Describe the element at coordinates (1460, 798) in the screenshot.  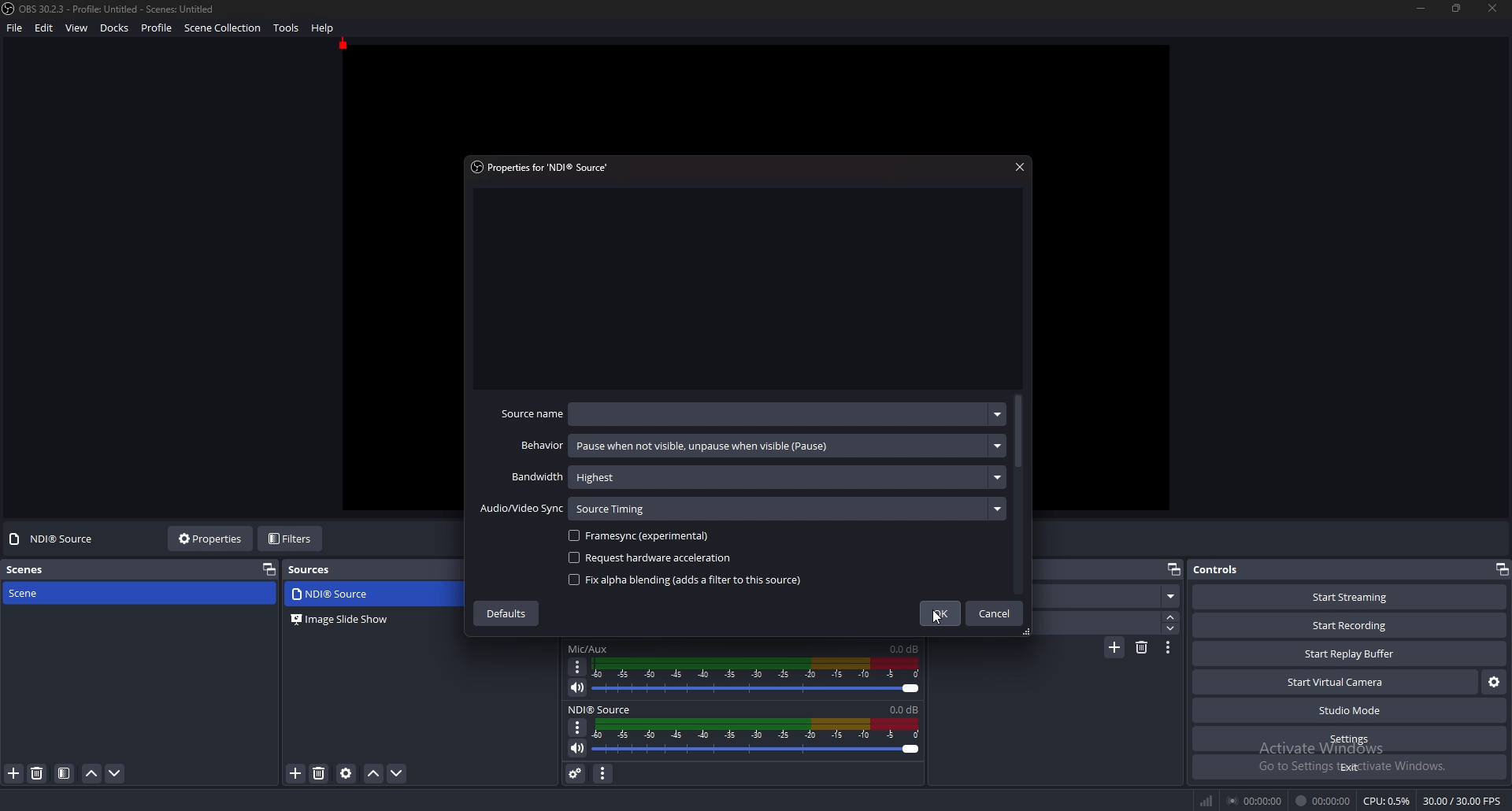
I see `fps` at that location.